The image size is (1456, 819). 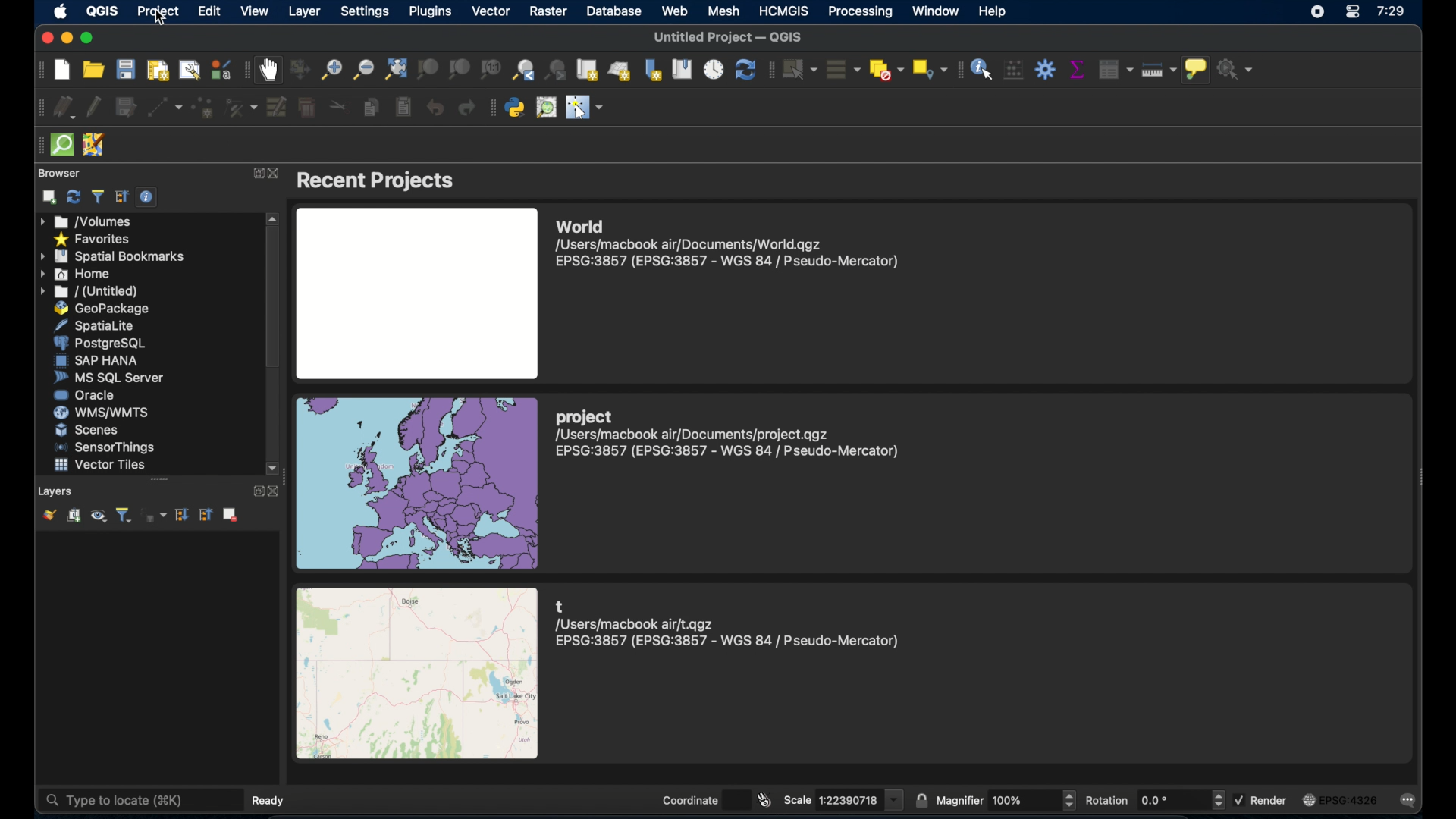 I want to click on refresh, so click(x=72, y=196).